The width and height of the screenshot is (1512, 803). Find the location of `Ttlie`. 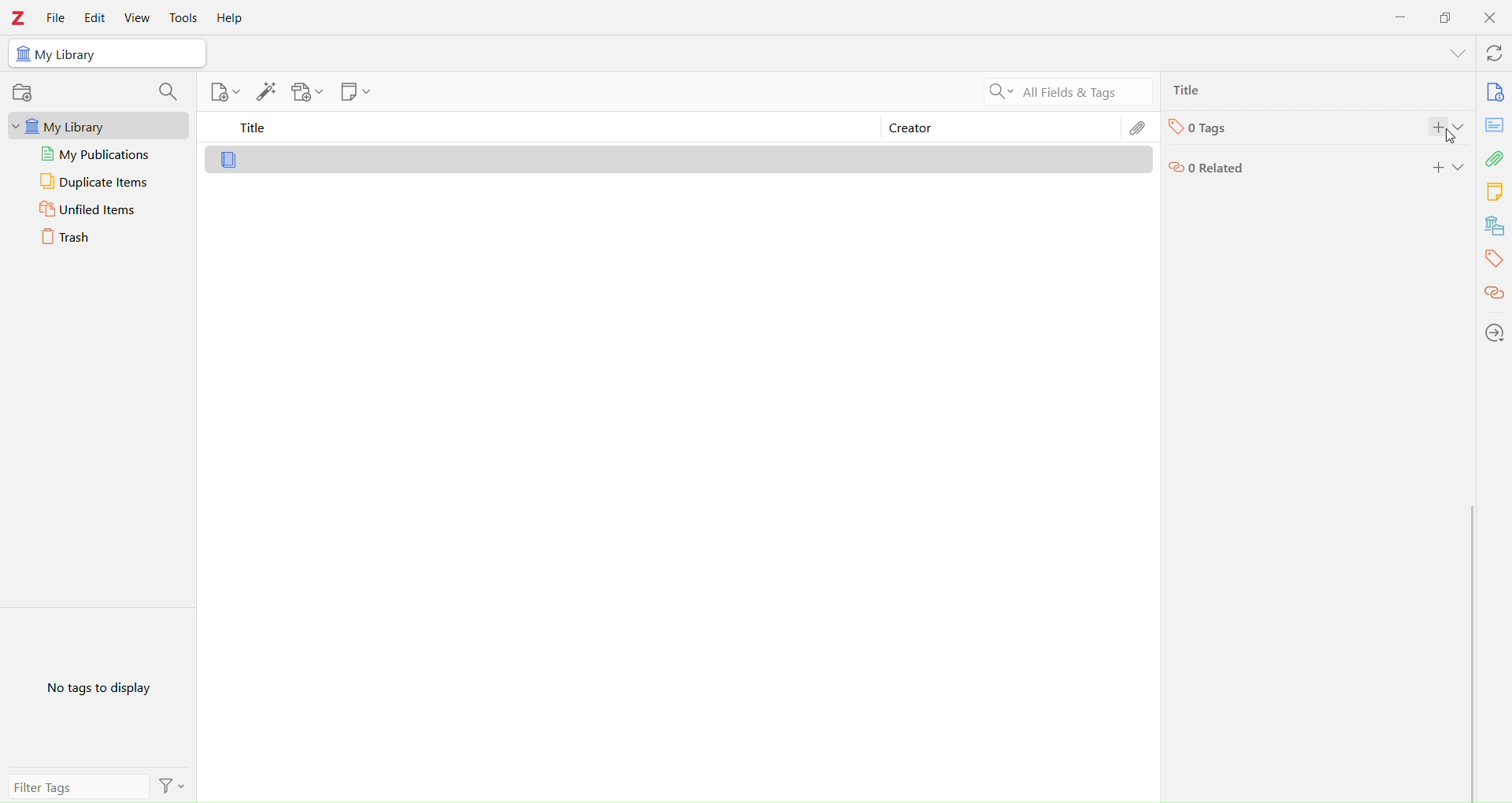

Ttlie is located at coordinates (1191, 90).